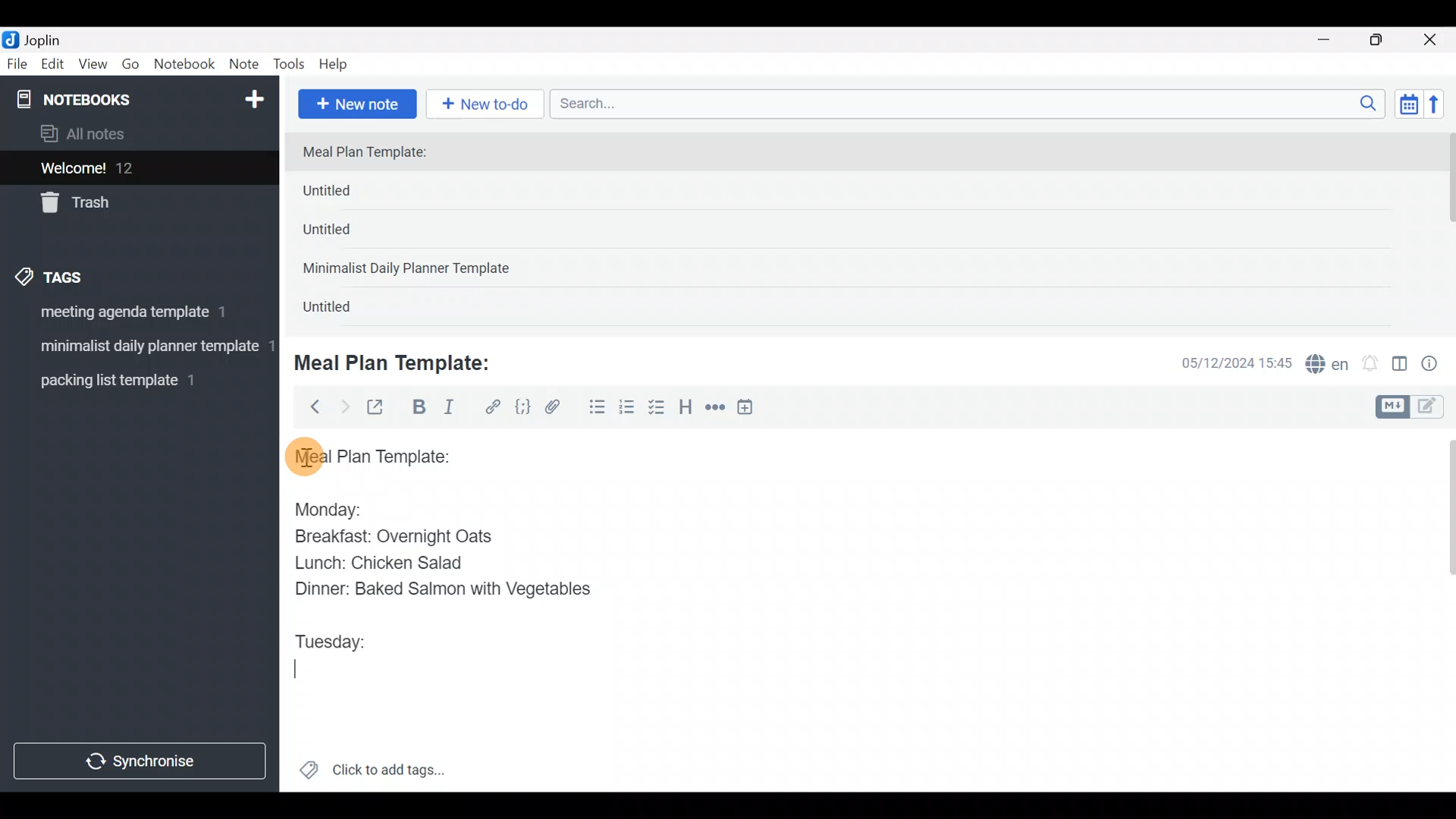 This screenshot has width=1456, height=819. I want to click on New, so click(253, 96).